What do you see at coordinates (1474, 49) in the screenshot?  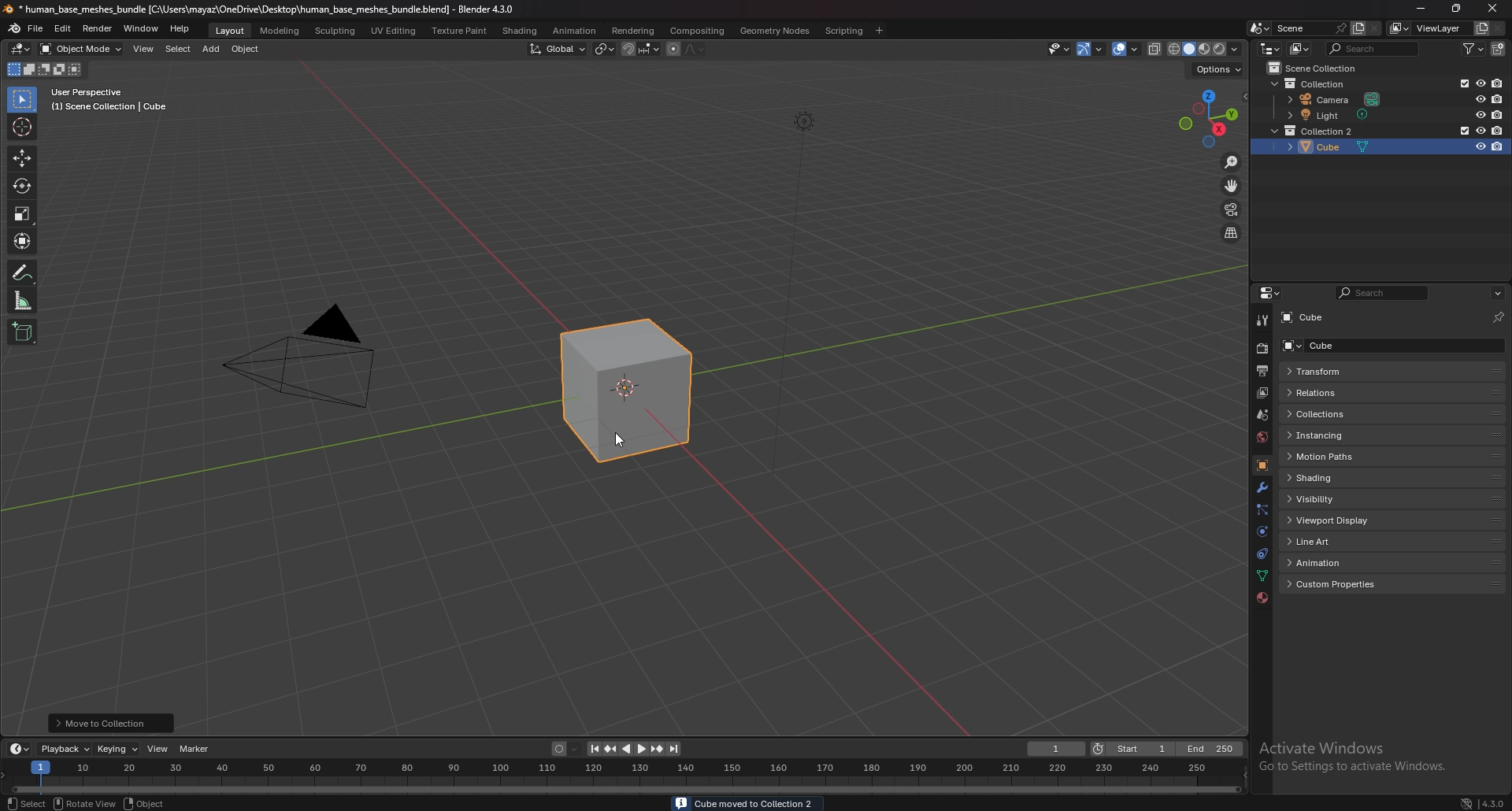 I see `filter` at bounding box center [1474, 49].